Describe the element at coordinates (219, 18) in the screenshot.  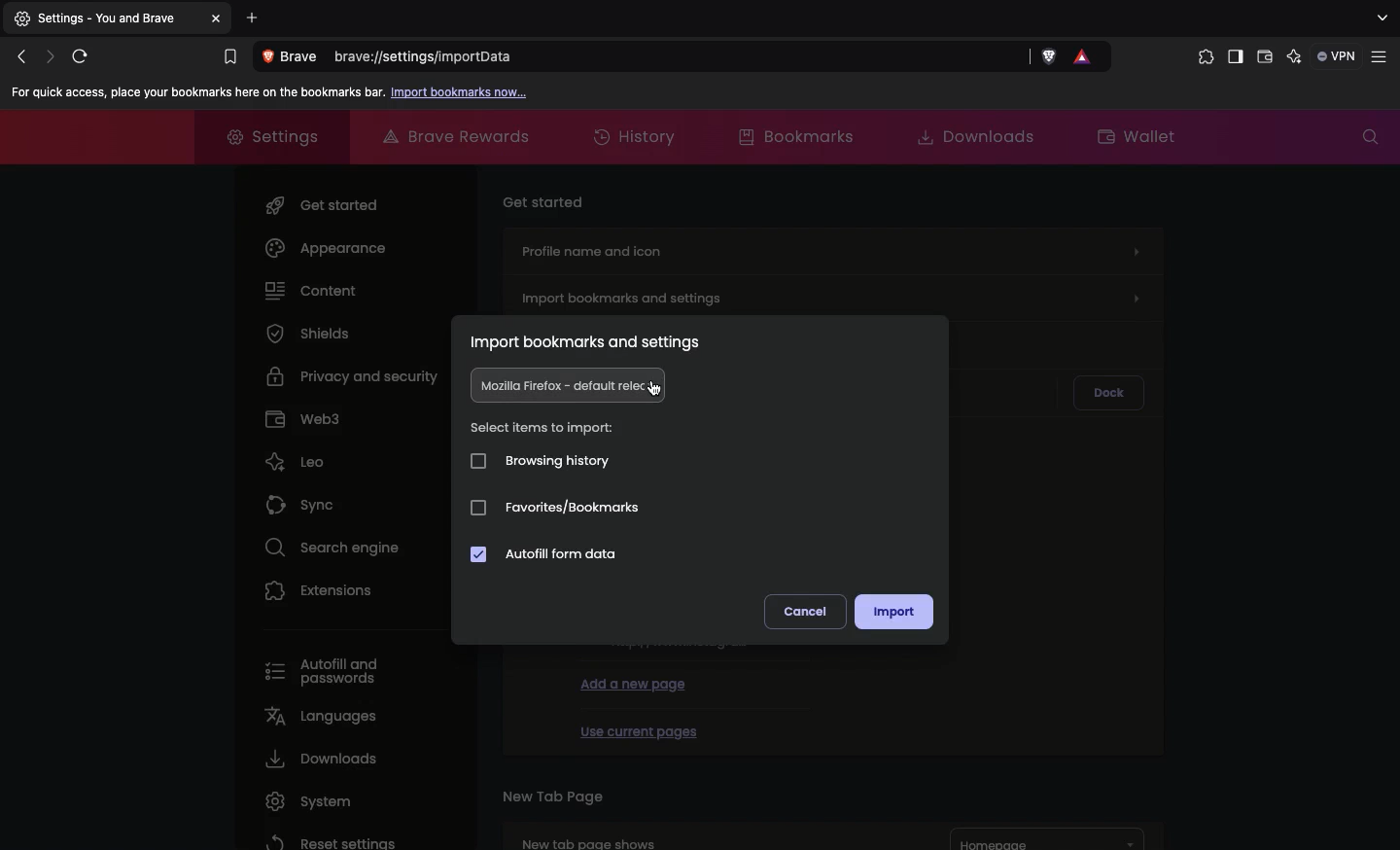
I see `` at that location.